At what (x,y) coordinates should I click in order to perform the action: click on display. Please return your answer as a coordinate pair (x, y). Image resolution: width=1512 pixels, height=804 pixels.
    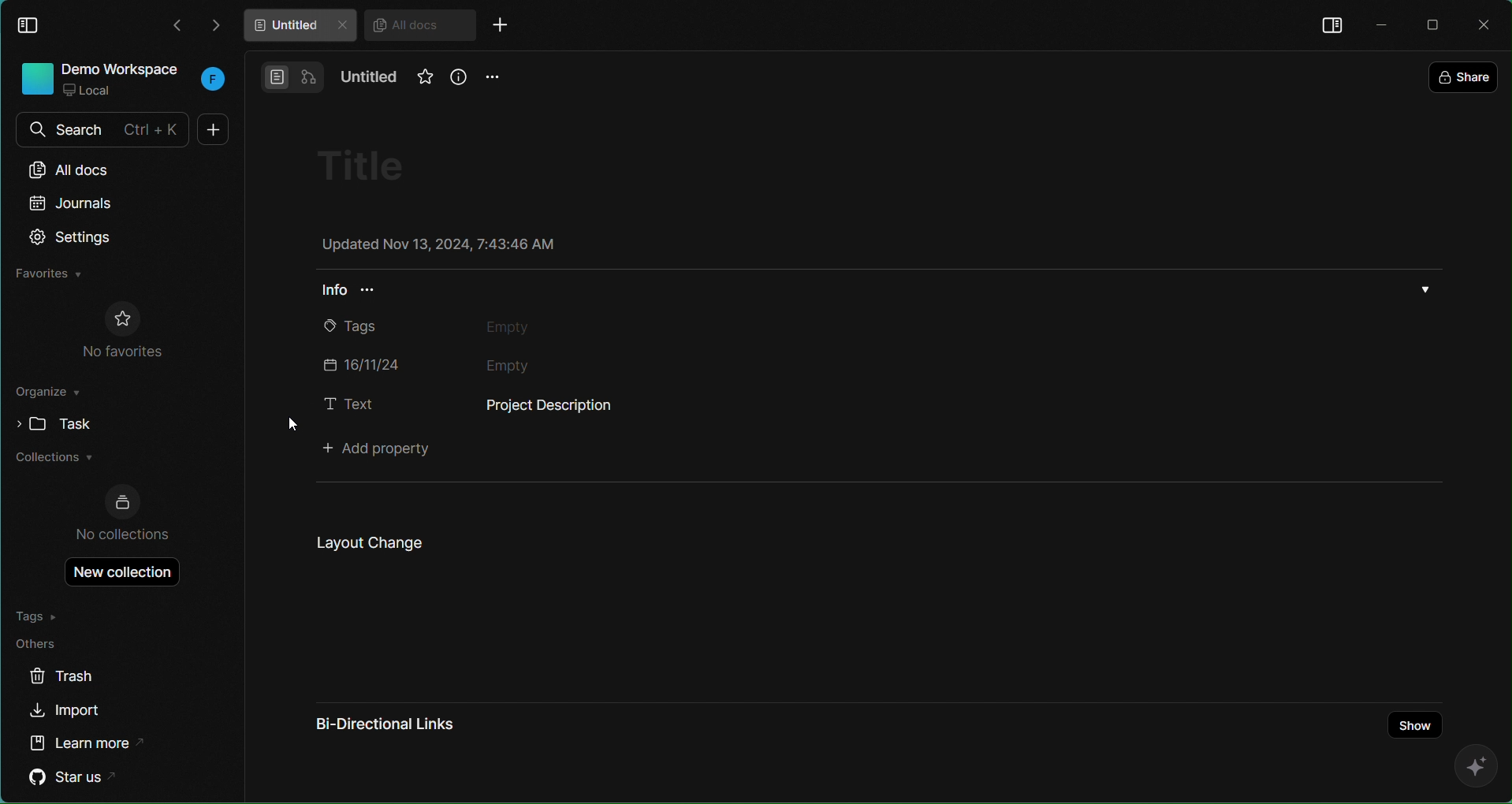
    Looking at the image, I should click on (32, 24).